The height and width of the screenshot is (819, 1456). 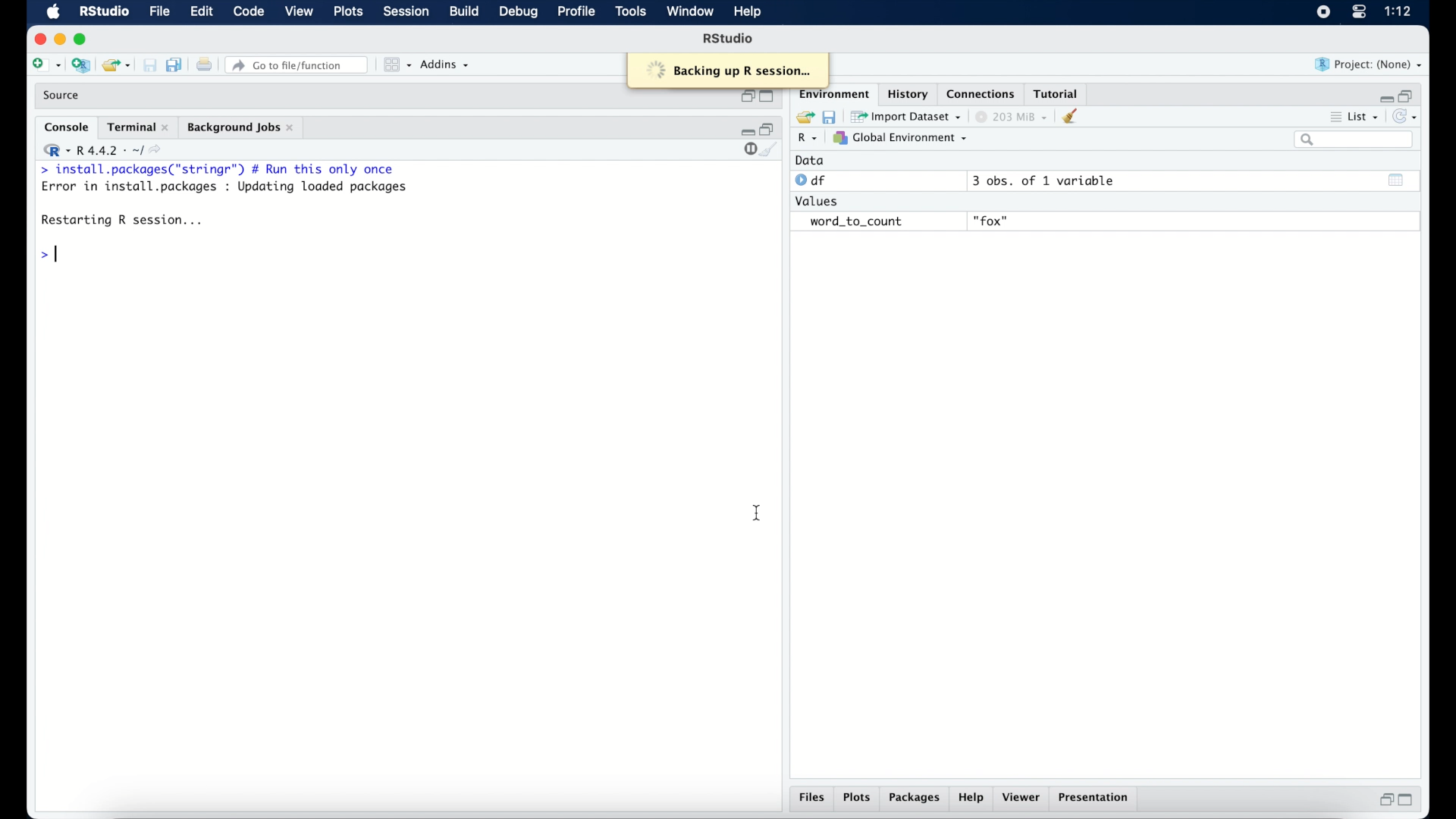 I want to click on screen recorder, so click(x=1323, y=13).